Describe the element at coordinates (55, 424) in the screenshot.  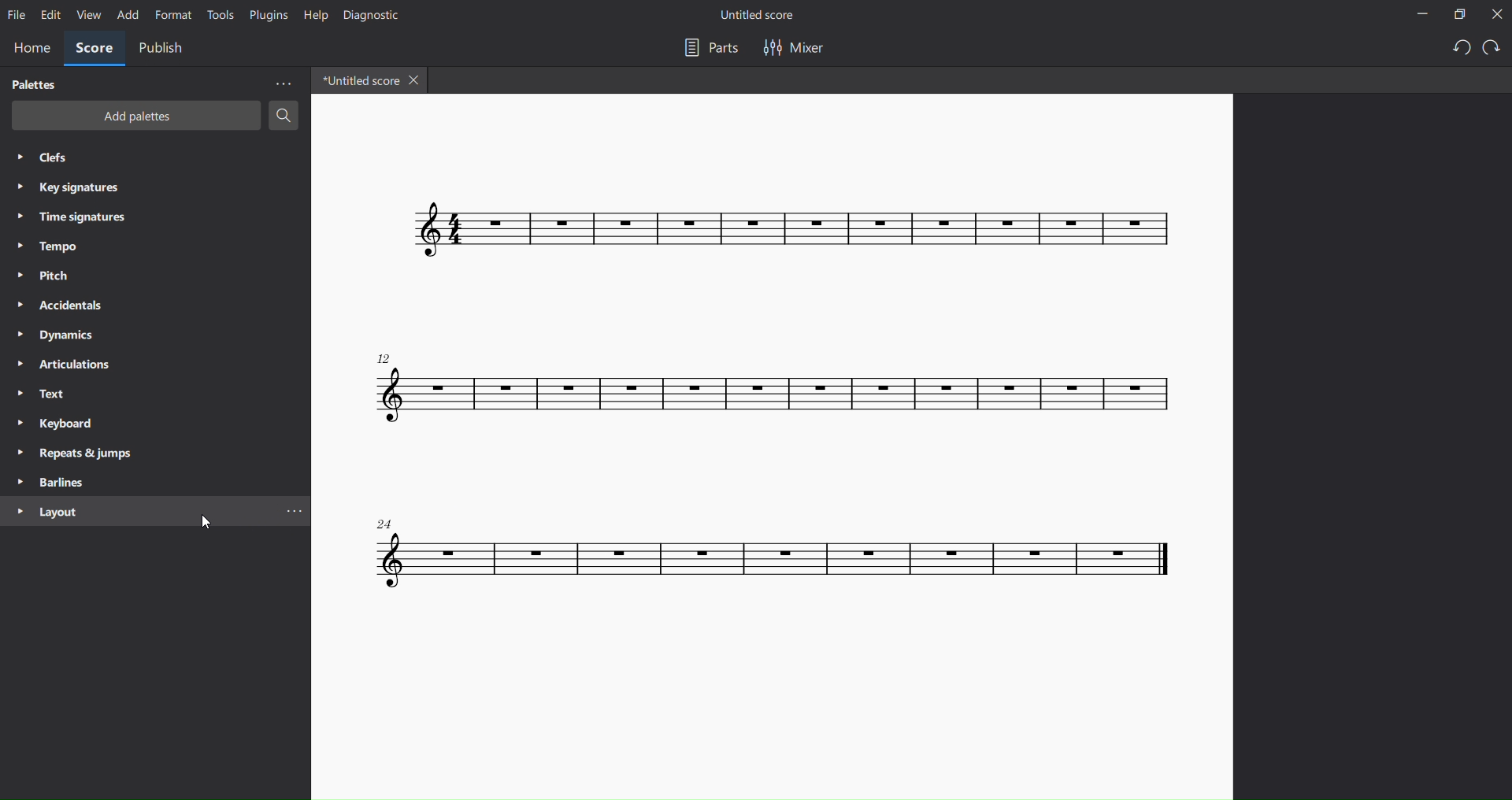
I see `keyboard` at that location.